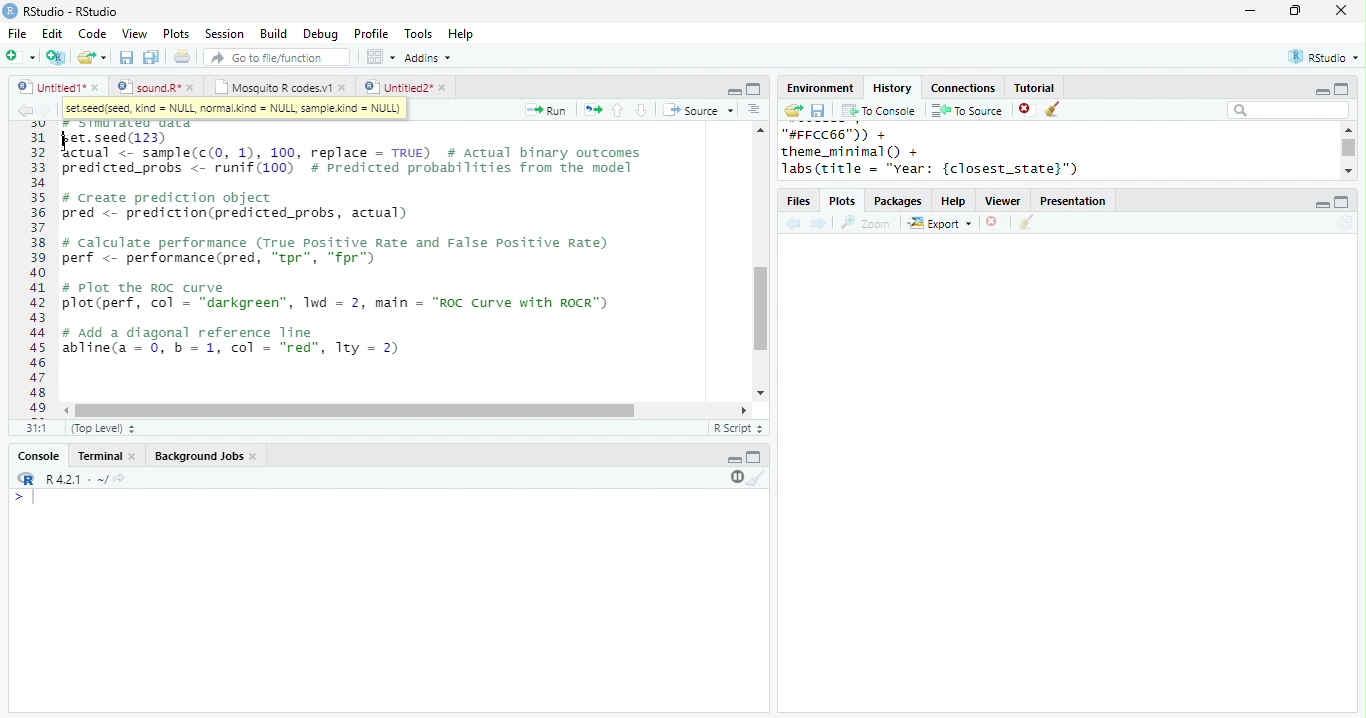  Describe the element at coordinates (545, 110) in the screenshot. I see `run` at that location.